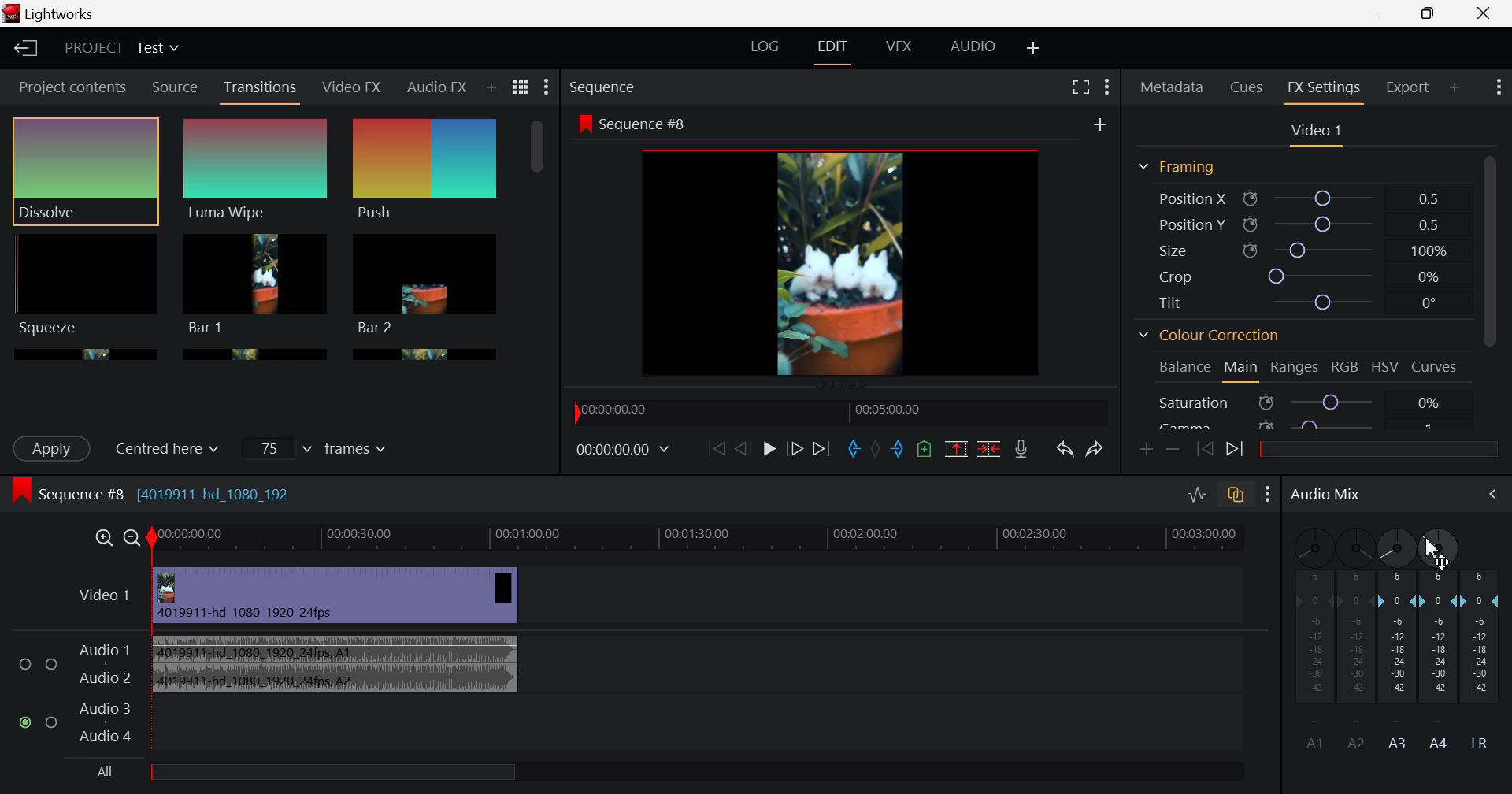  Describe the element at coordinates (1303, 402) in the screenshot. I see `Saturation` at that location.